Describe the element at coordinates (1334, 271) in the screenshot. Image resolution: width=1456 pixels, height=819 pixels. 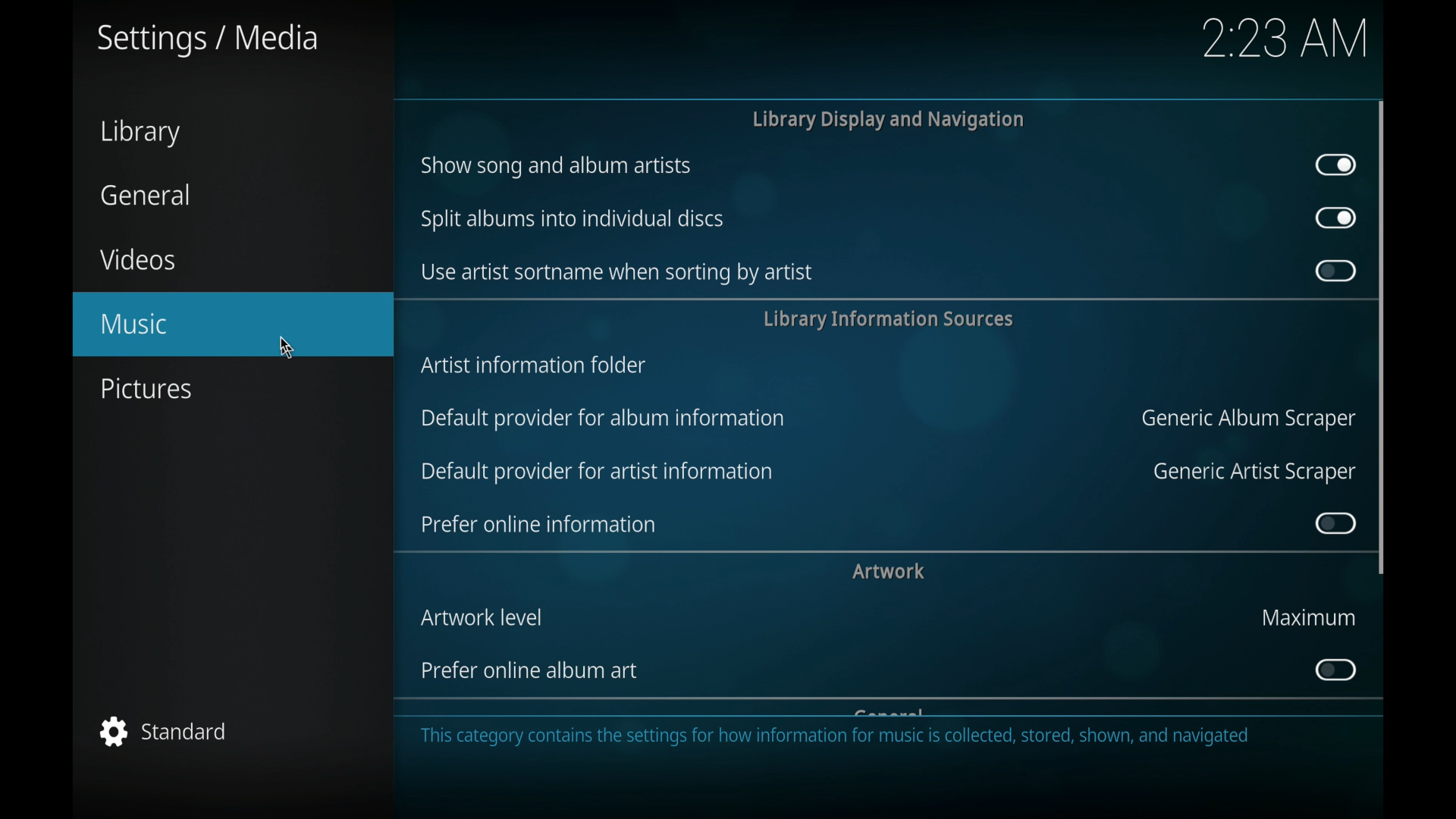
I see `toggle button` at that location.